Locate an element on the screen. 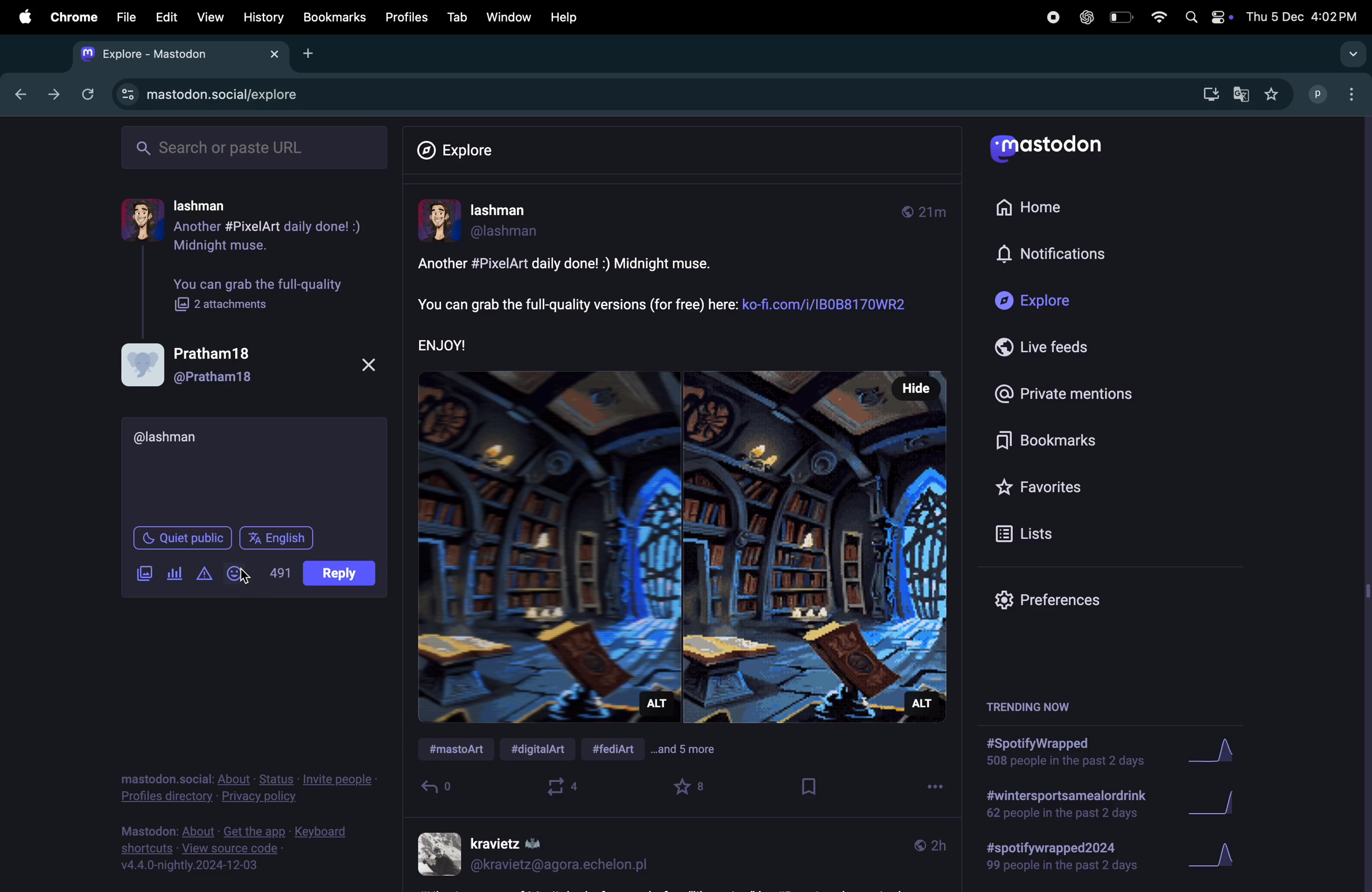  bookmarks is located at coordinates (334, 18).